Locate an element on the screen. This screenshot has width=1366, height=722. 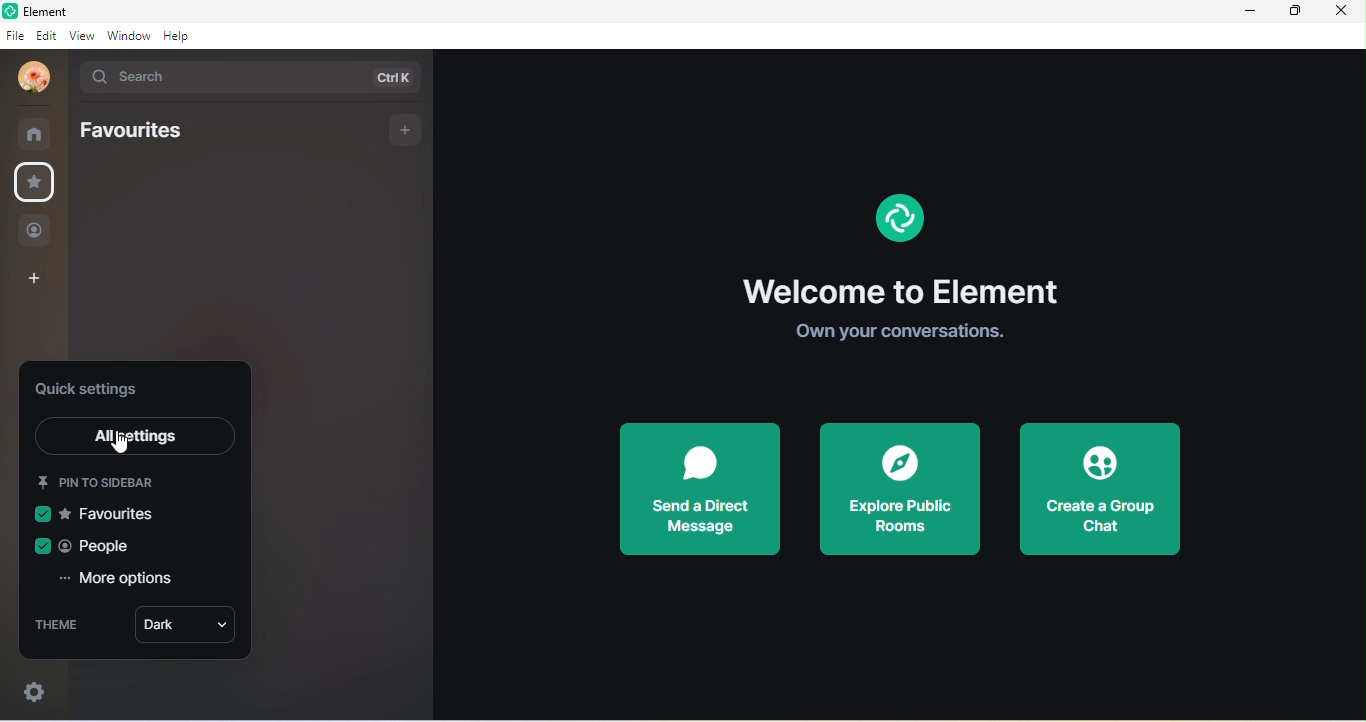
rooms is located at coordinates (35, 133).